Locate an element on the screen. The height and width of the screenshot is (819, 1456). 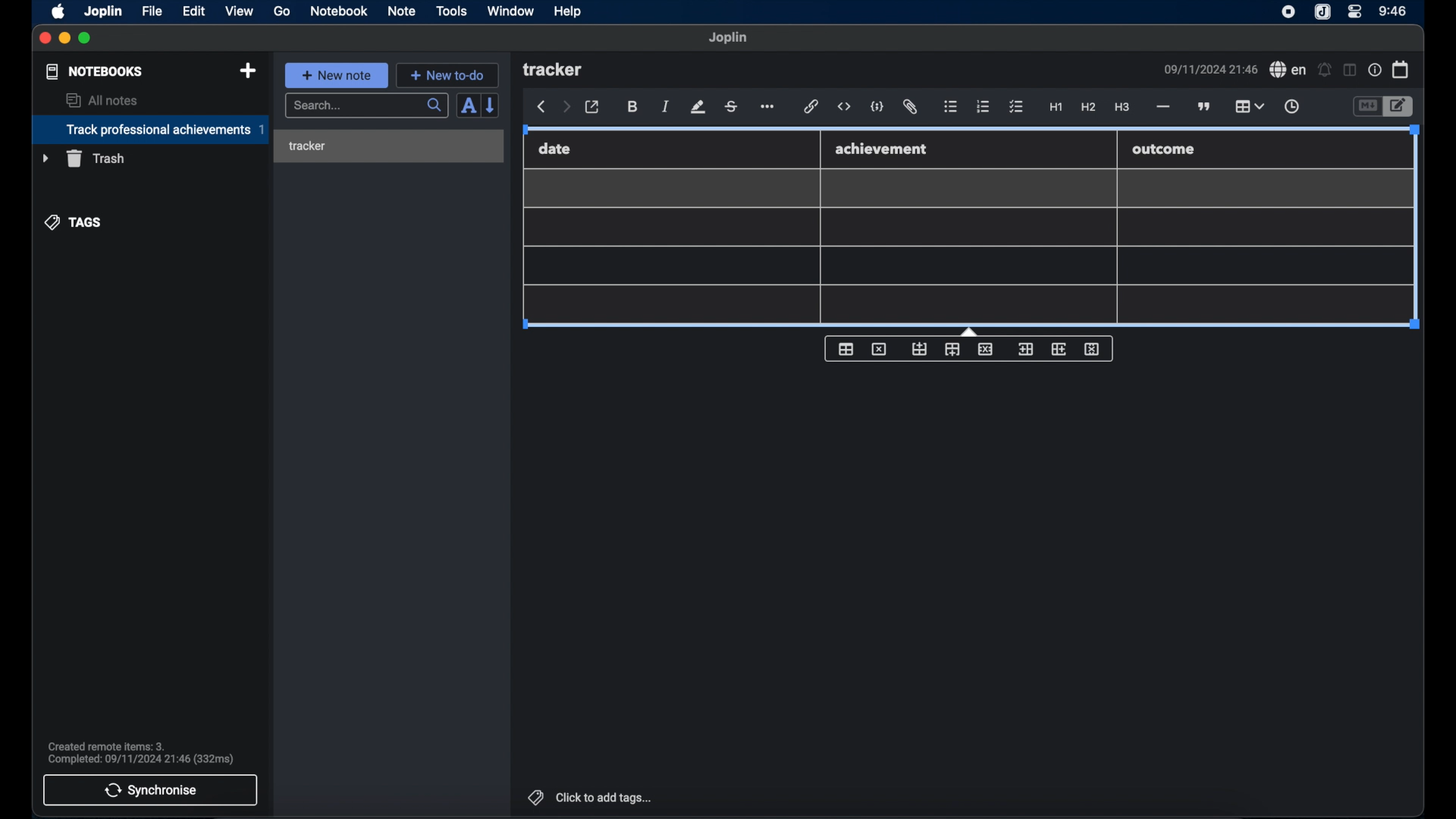
time is located at coordinates (1393, 11).